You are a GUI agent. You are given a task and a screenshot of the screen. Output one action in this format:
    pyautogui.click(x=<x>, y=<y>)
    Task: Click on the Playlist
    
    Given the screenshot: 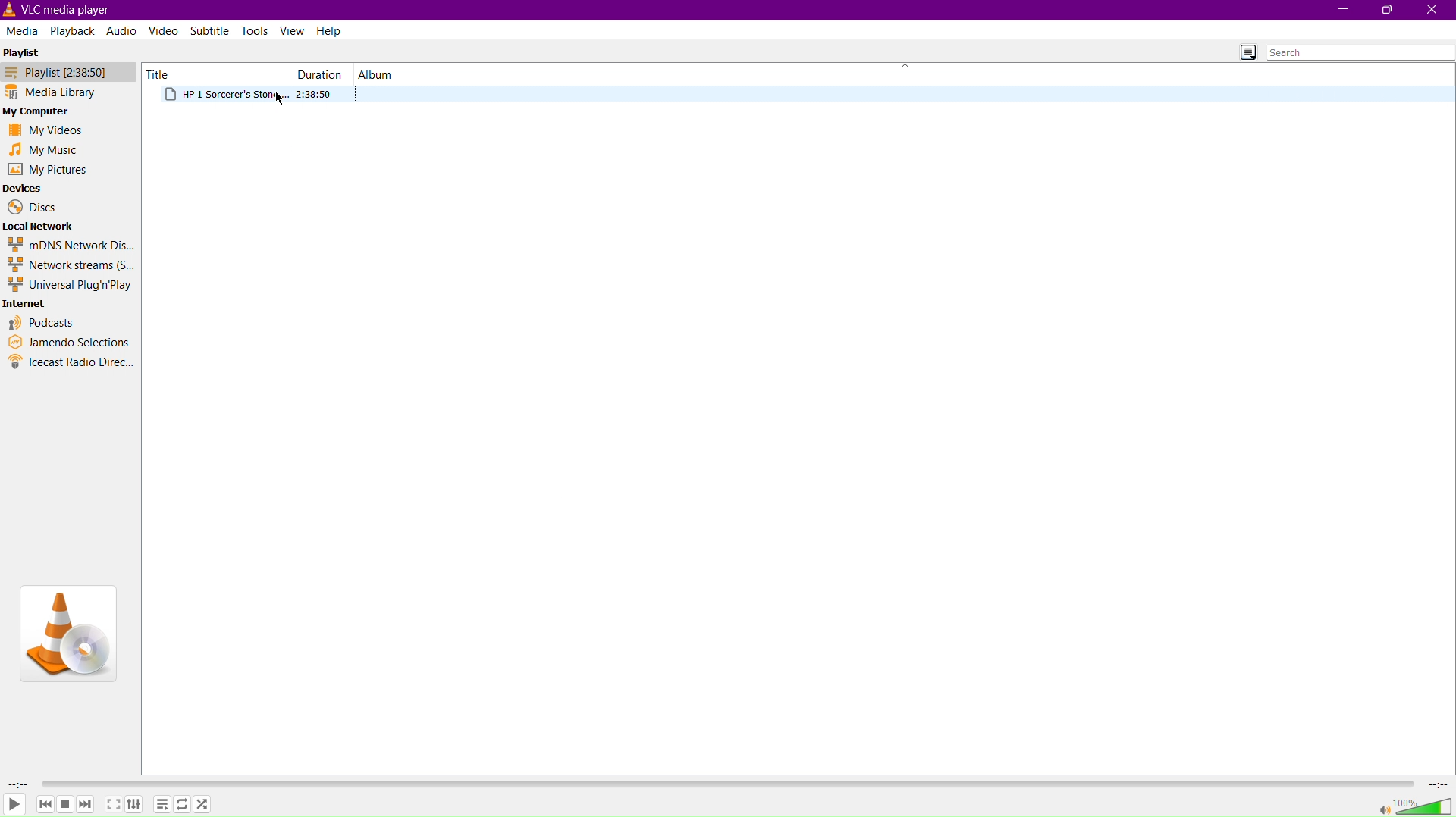 What is the action you would take?
    pyautogui.click(x=69, y=71)
    